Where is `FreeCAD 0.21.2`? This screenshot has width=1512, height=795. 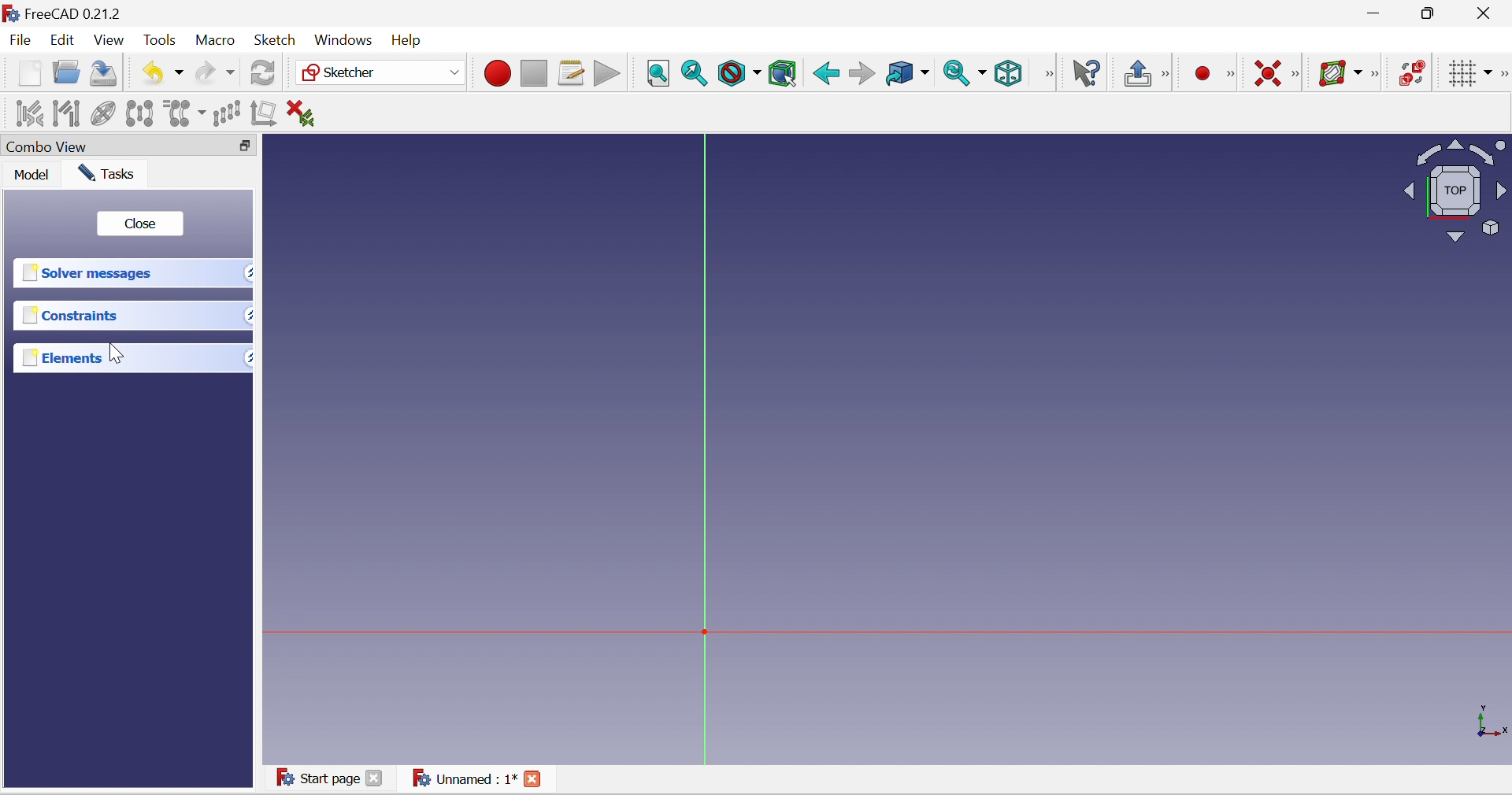 FreeCAD 0.21.2 is located at coordinates (70, 13).